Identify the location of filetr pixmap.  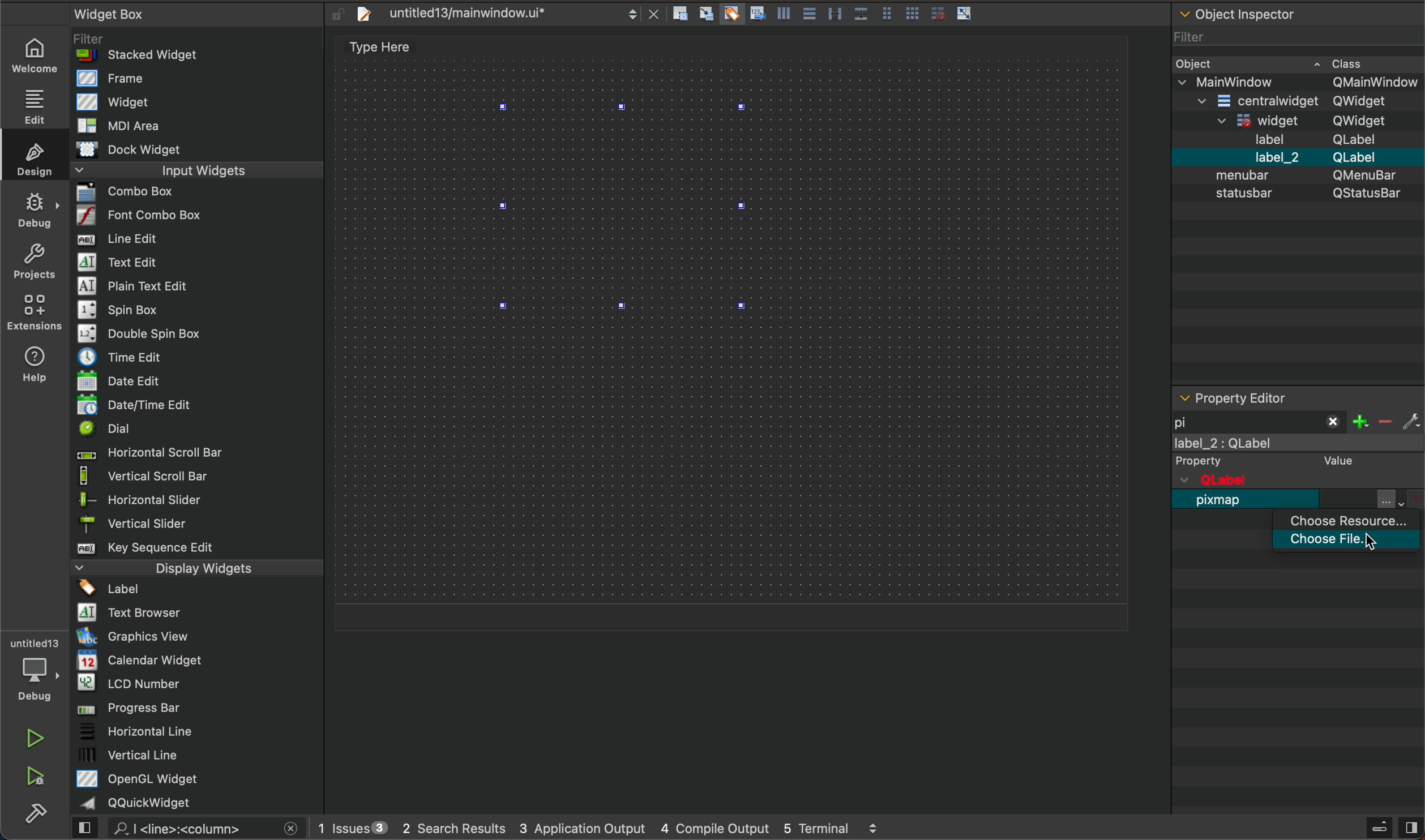
(1260, 420).